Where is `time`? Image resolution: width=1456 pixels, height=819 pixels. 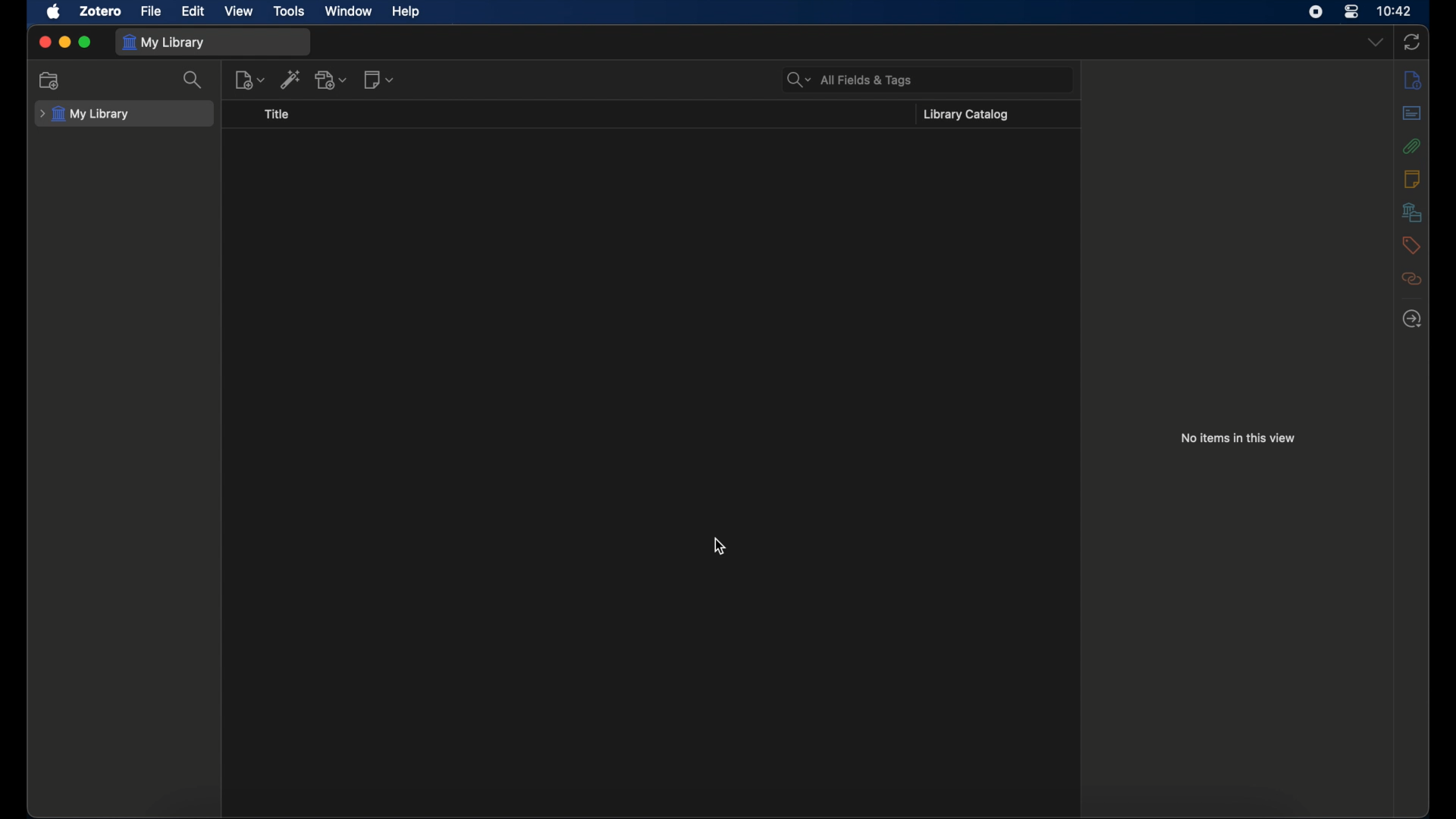 time is located at coordinates (1395, 11).